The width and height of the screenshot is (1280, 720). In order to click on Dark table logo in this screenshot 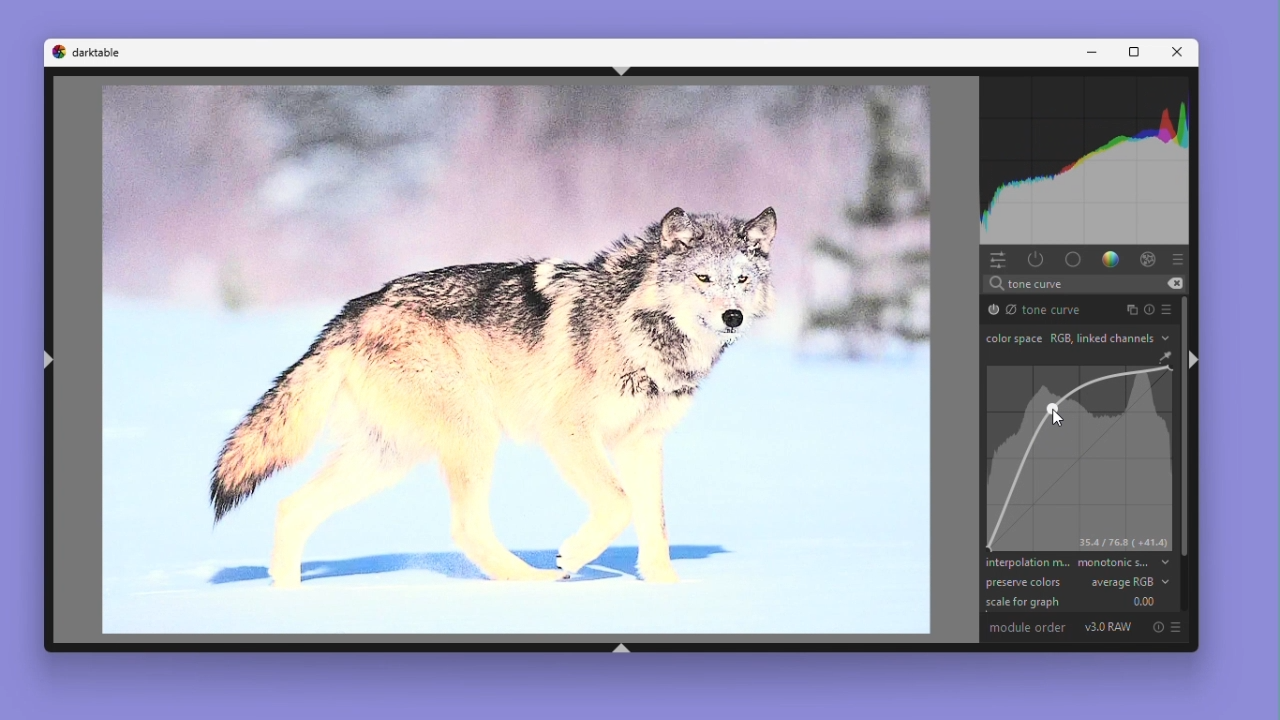, I will do `click(87, 52)`.